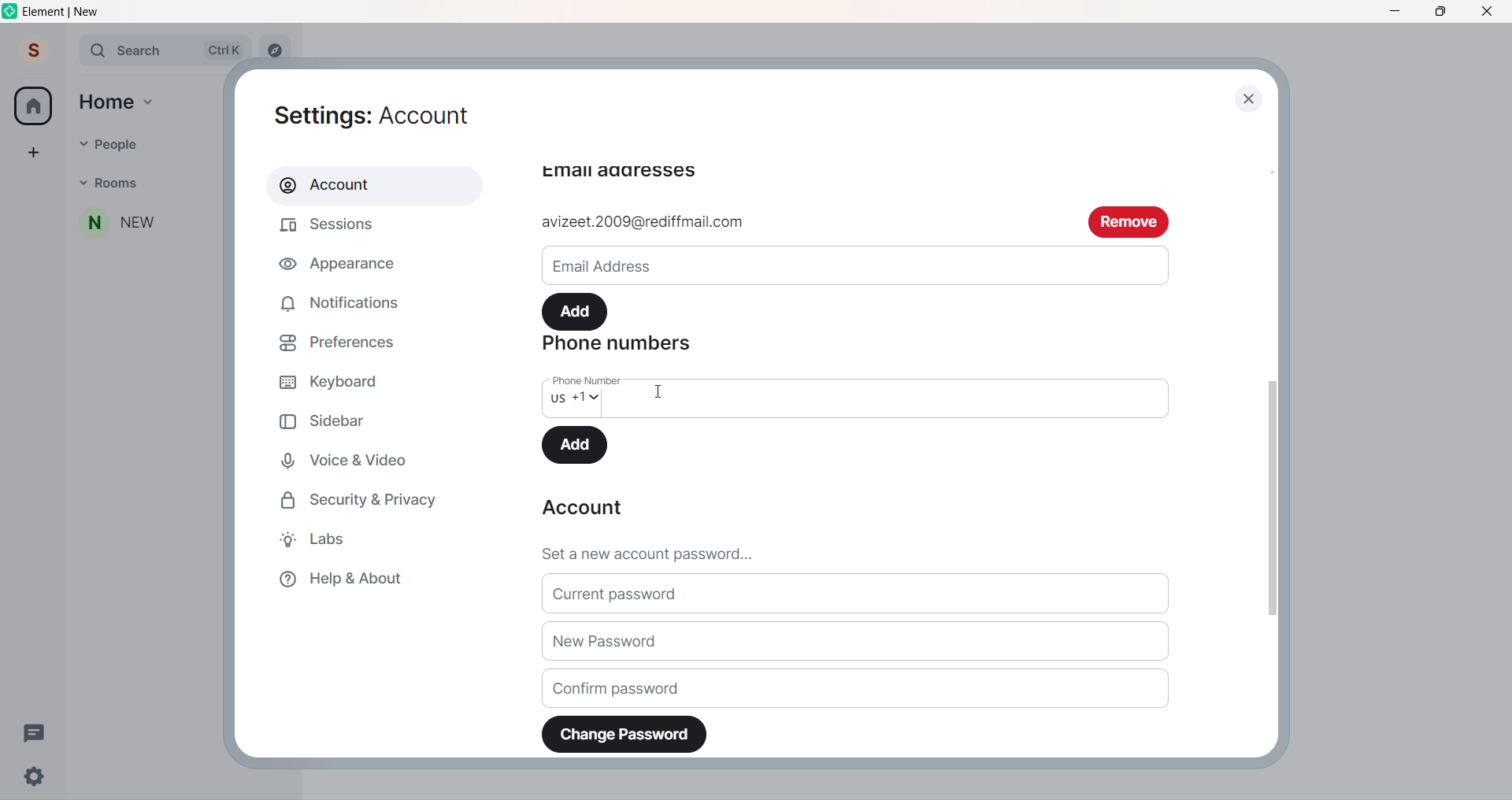  Describe the element at coordinates (1394, 12) in the screenshot. I see `Minimize` at that location.